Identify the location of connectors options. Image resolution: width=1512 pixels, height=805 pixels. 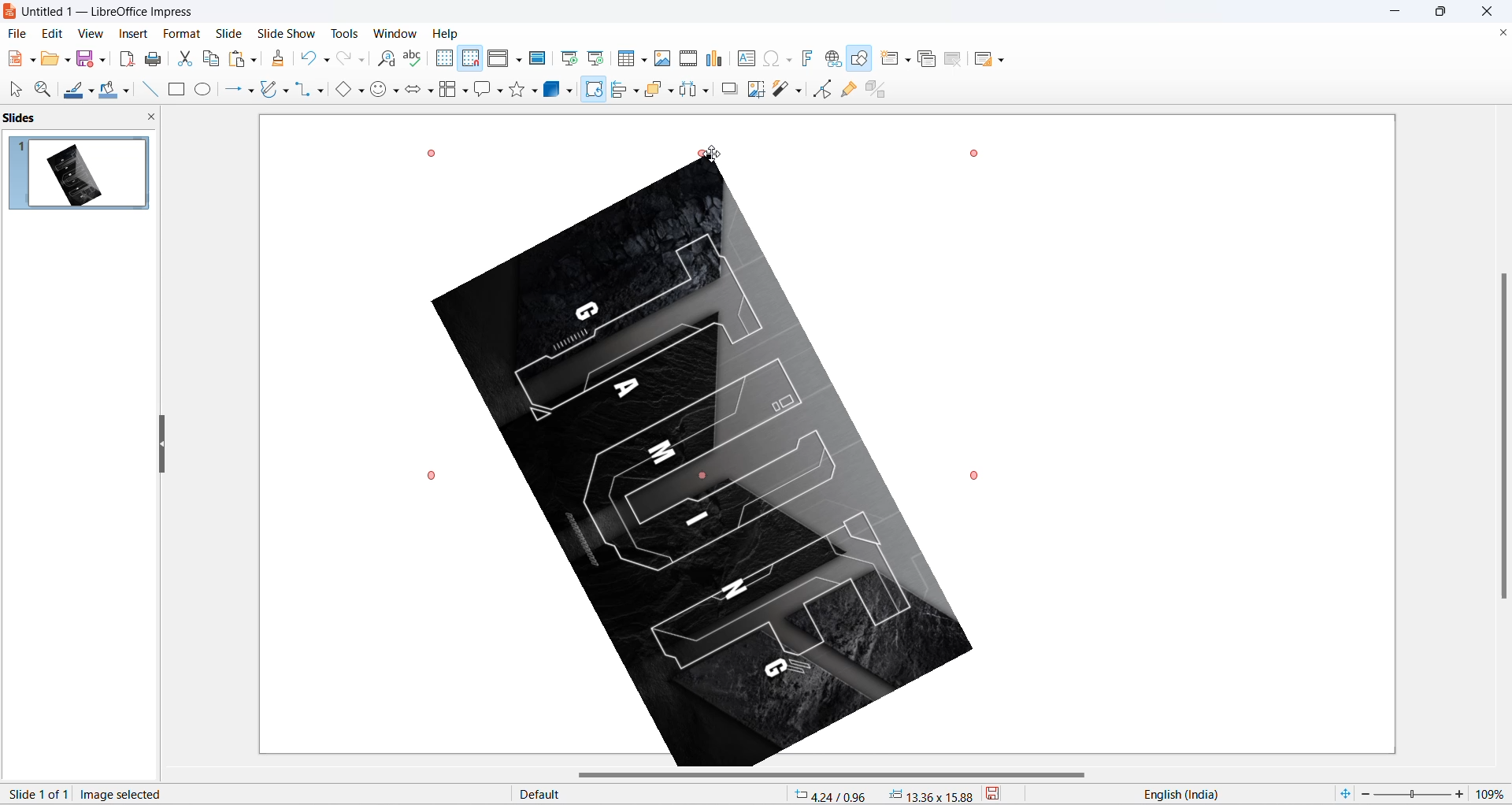
(318, 90).